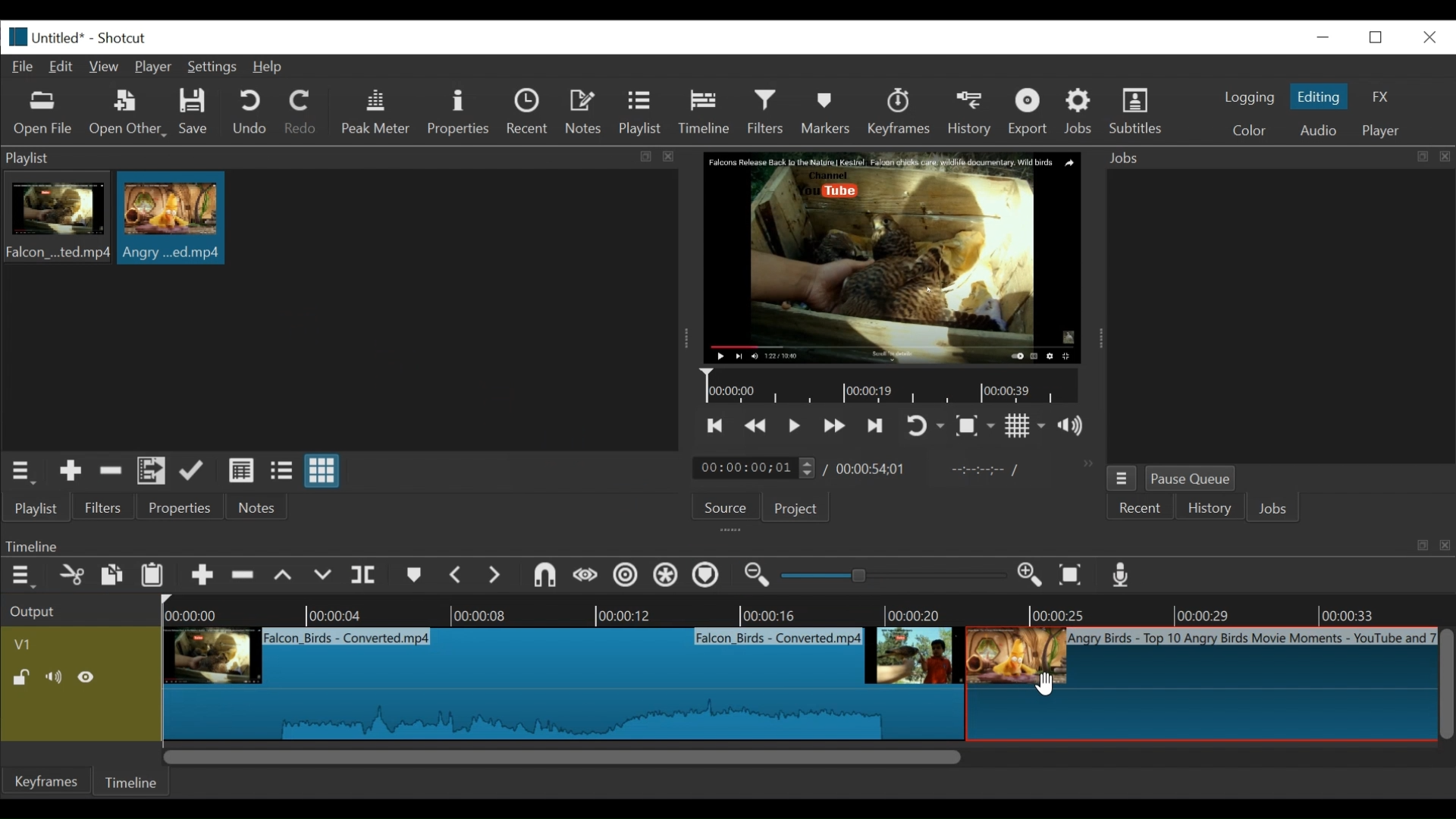 The image size is (1456, 819). Describe the element at coordinates (26, 67) in the screenshot. I see `File` at that location.